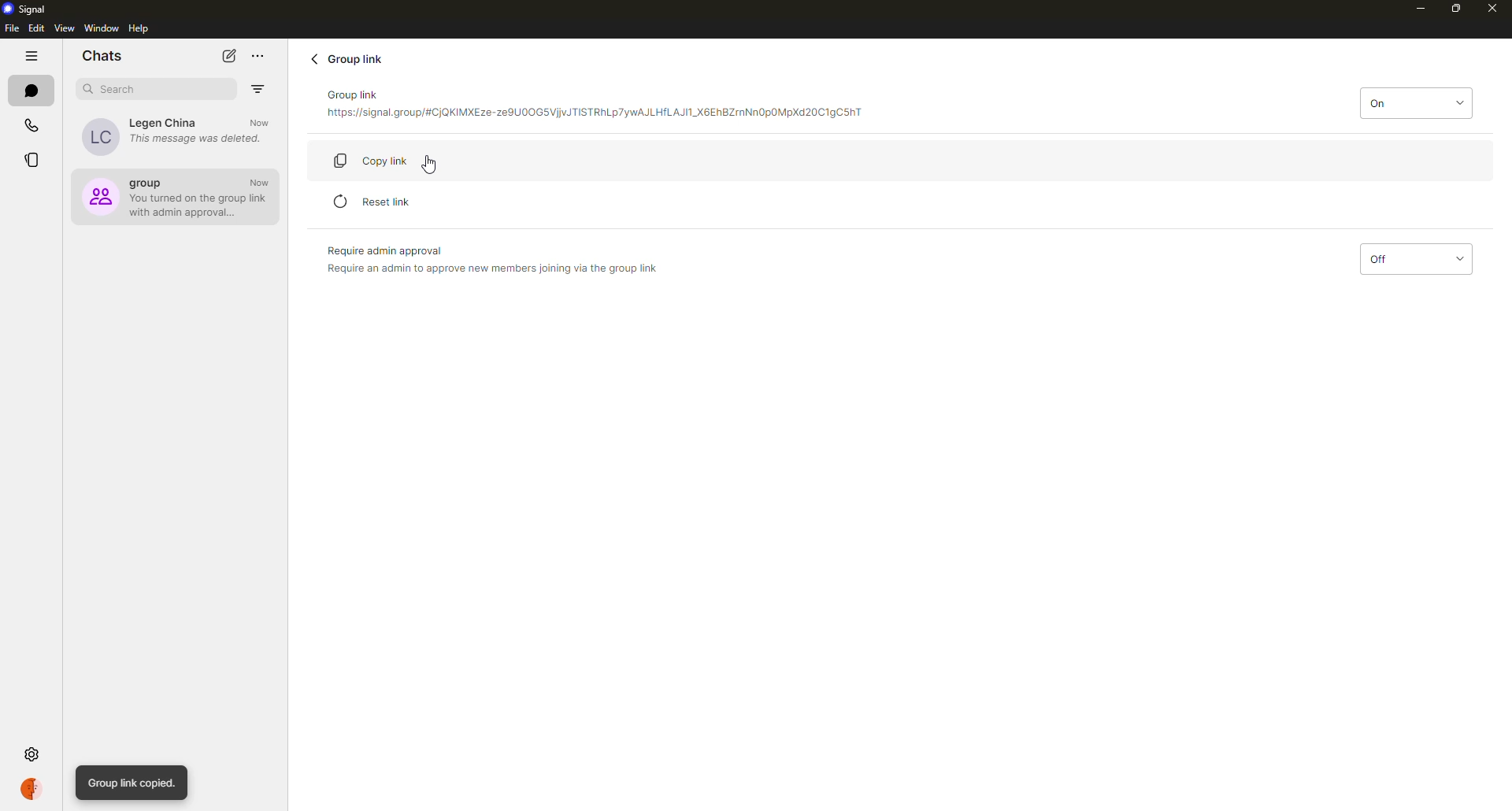  Describe the element at coordinates (1413, 8) in the screenshot. I see `minimize` at that location.